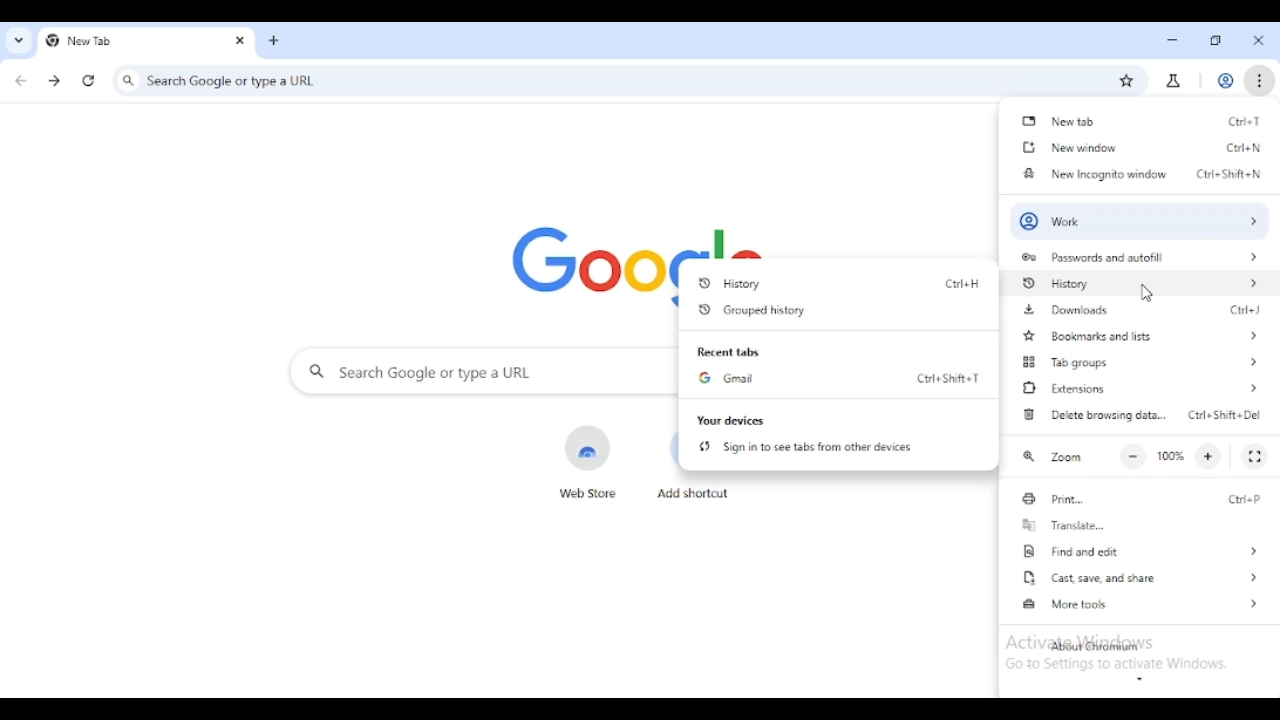  I want to click on extensions, so click(1141, 387).